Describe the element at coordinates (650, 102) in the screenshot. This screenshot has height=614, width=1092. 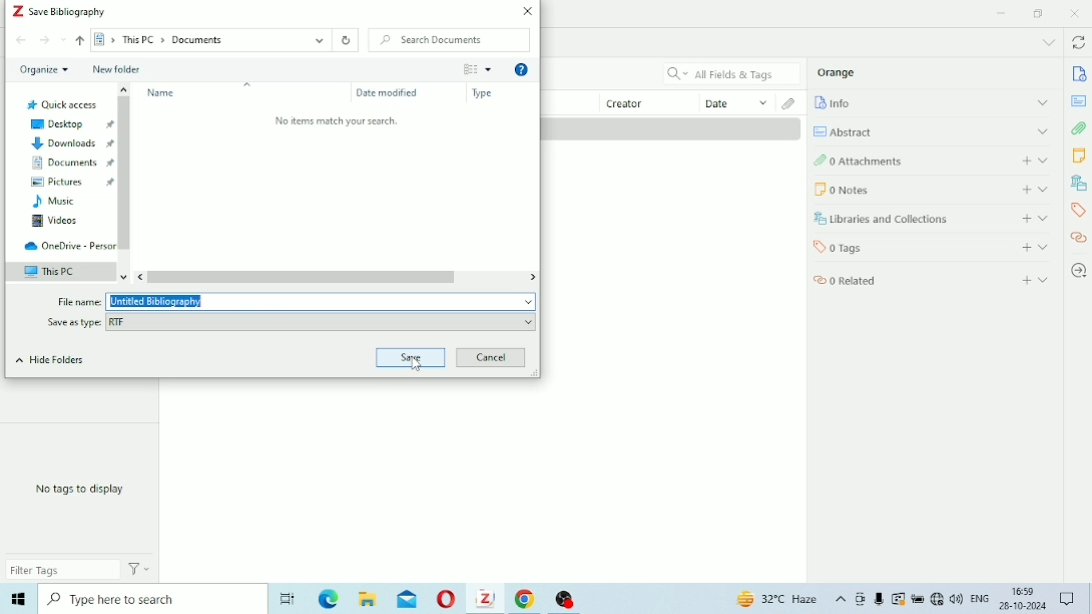
I see `Creator` at that location.